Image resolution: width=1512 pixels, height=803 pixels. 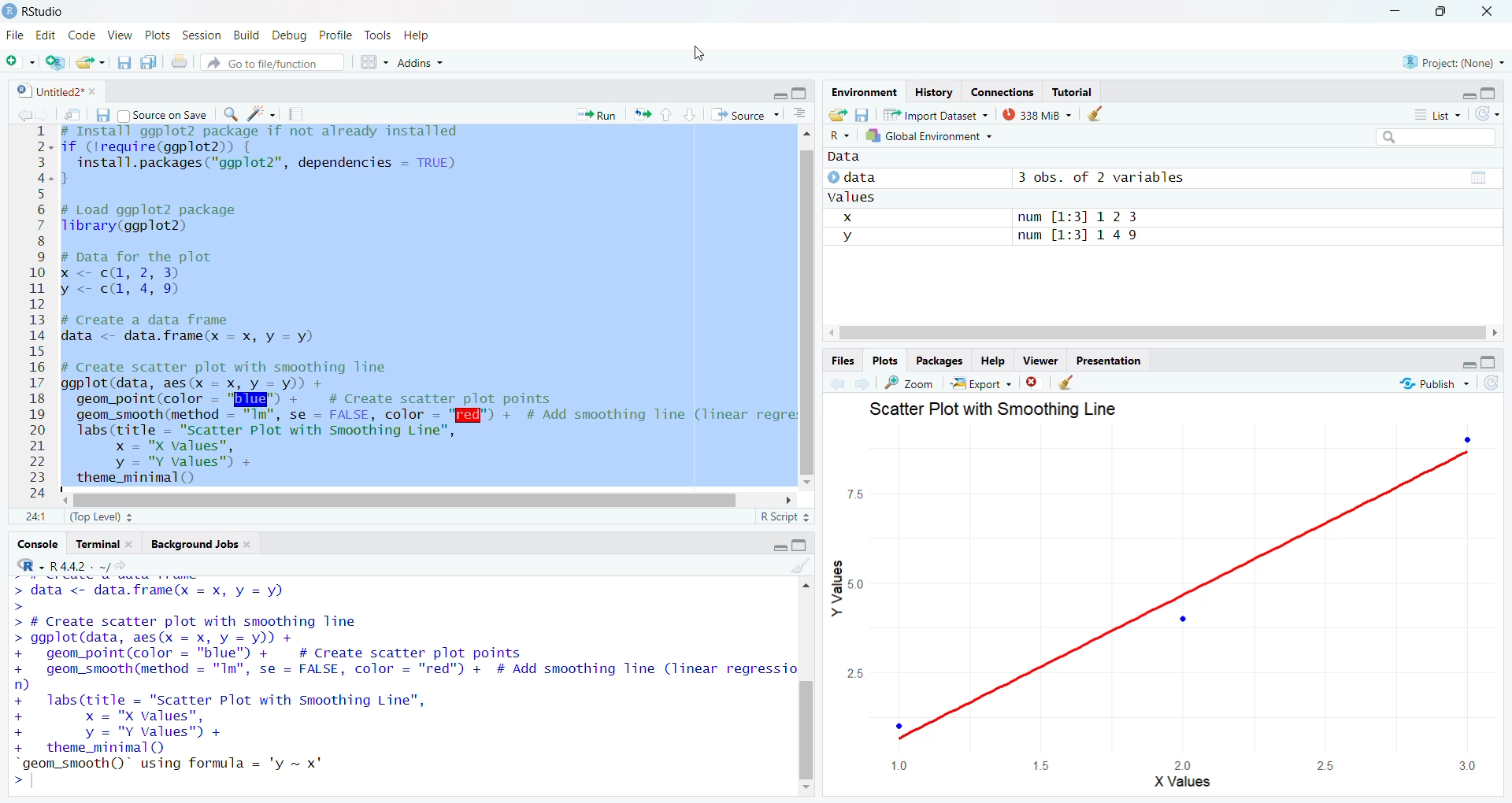 I want to click on data <- data.frame(x = Xx, y =Yy)
# Create scatter plot with smoothing line
ggplot(data, aes(x = x, y = y)) +
geom_point(color = "blue") + # Create scatter plot points
geom_smooth (method = "Im", se = FALSE, color = "red") + # Add smoothing Tine (linear regressic
Tabs(title = "Scatter Plot with Smoothing Line",
x = "X values",
y = "Y values") +
theme_minimal()
eom_smooth()~ using formula = 'y ~ x"
|, so click(x=400, y=683).